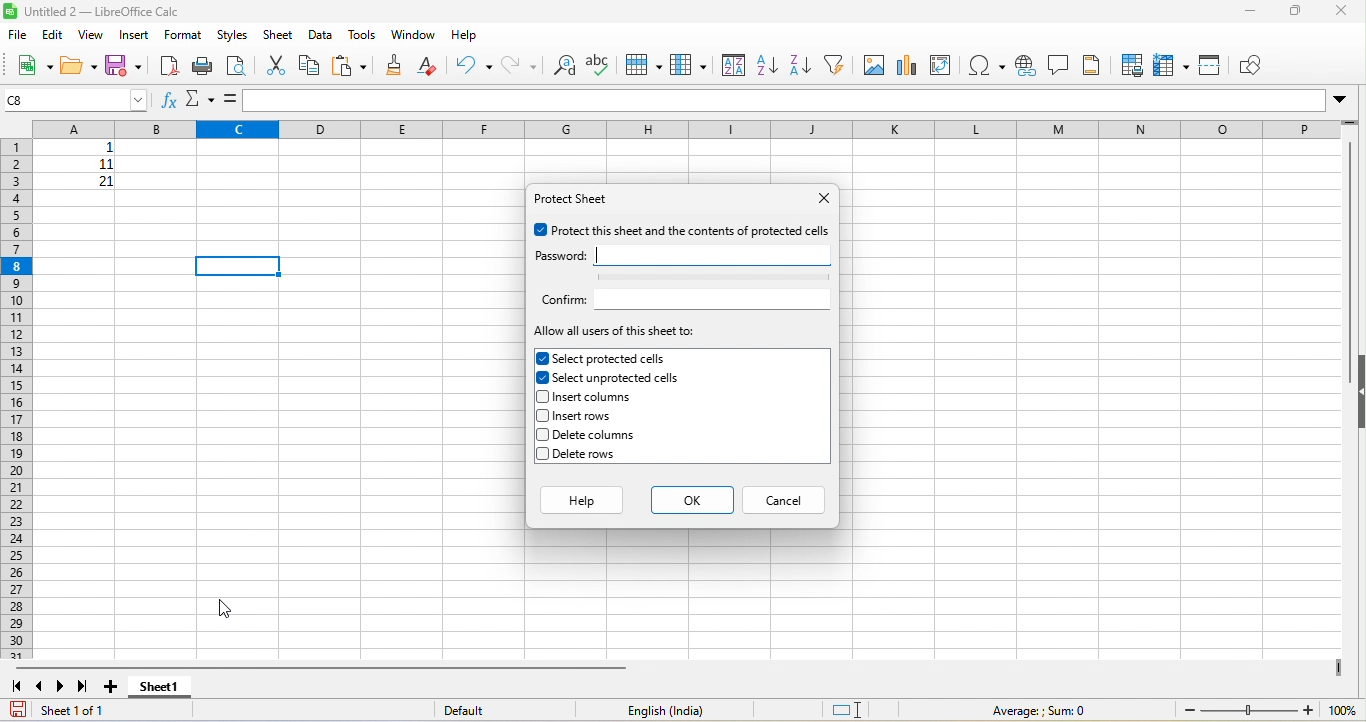  Describe the element at coordinates (1095, 65) in the screenshot. I see `header and footer` at that location.